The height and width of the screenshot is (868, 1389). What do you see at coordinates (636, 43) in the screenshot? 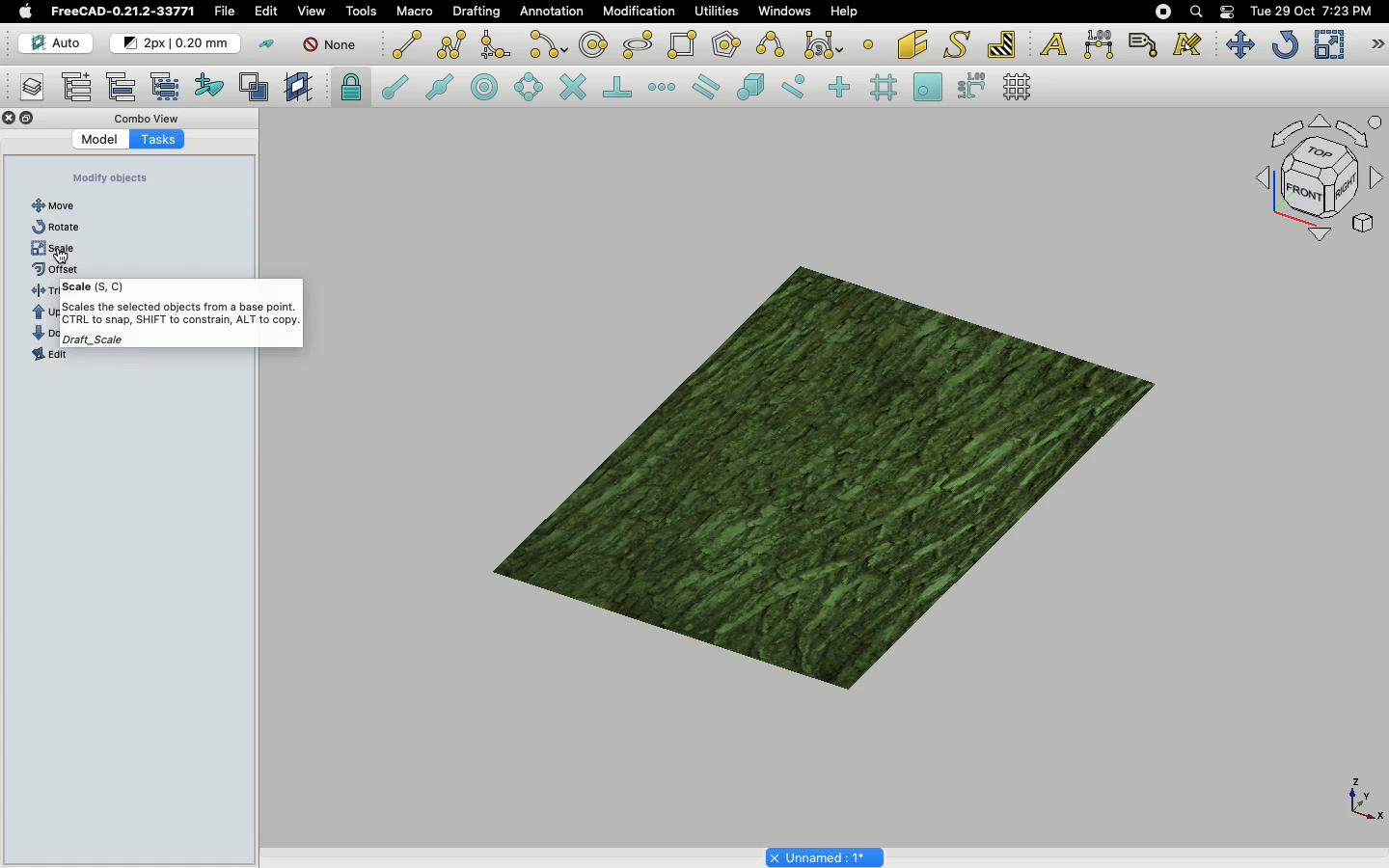
I see `Ellipse` at bounding box center [636, 43].